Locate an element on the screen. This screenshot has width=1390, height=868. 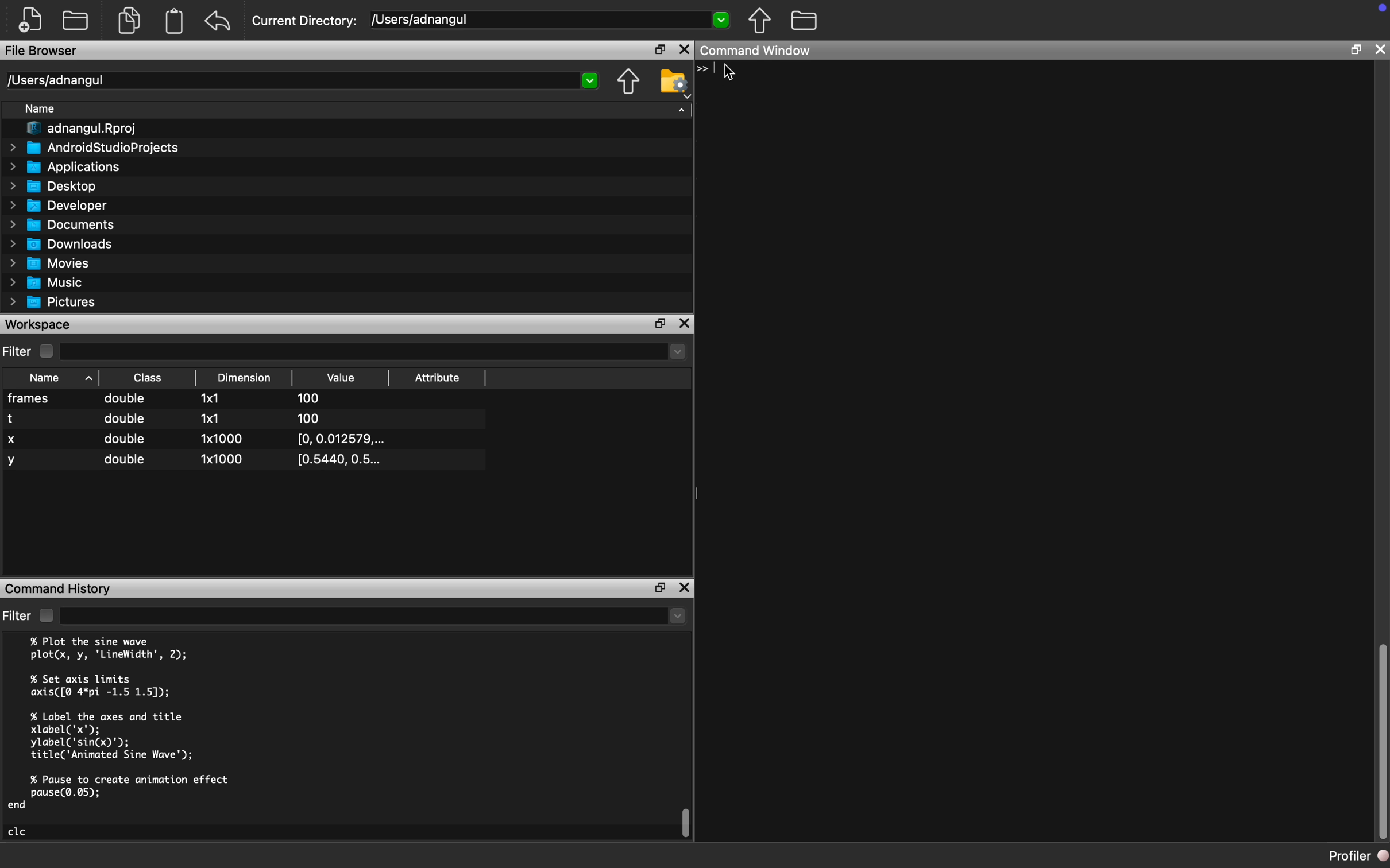
Filter is located at coordinates (18, 350).